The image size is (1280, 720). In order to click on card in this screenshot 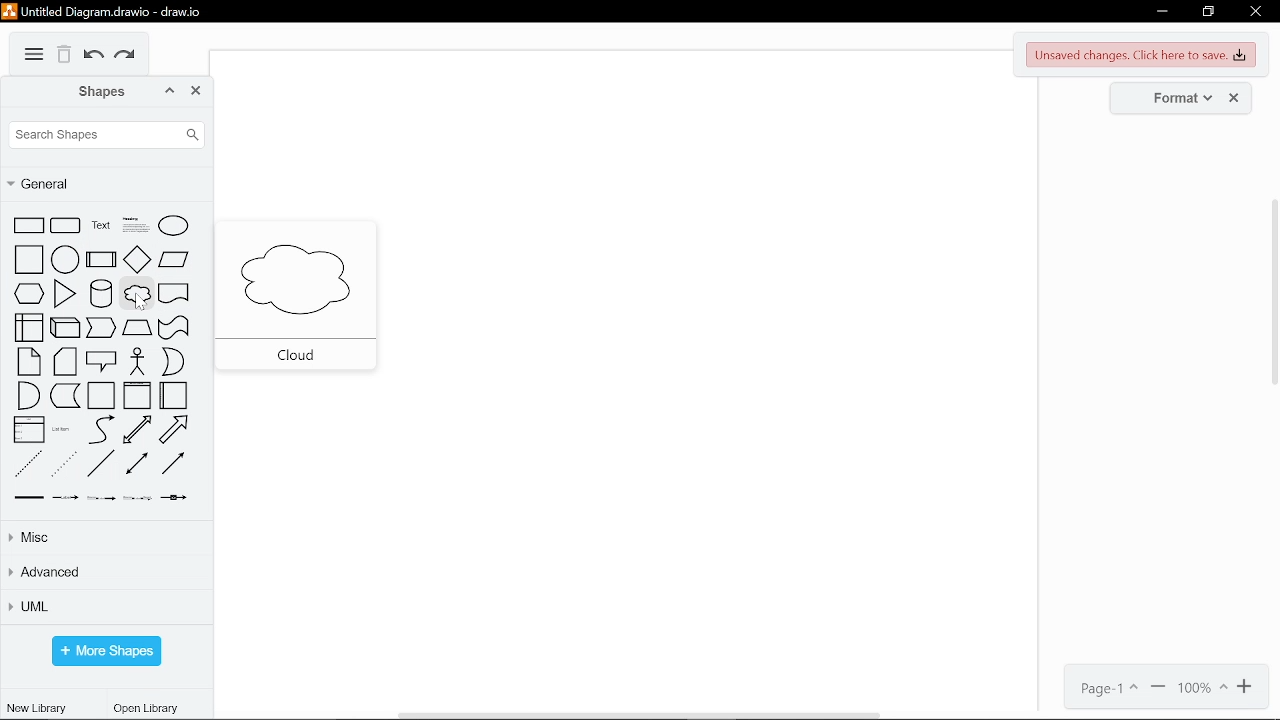, I will do `click(64, 362)`.